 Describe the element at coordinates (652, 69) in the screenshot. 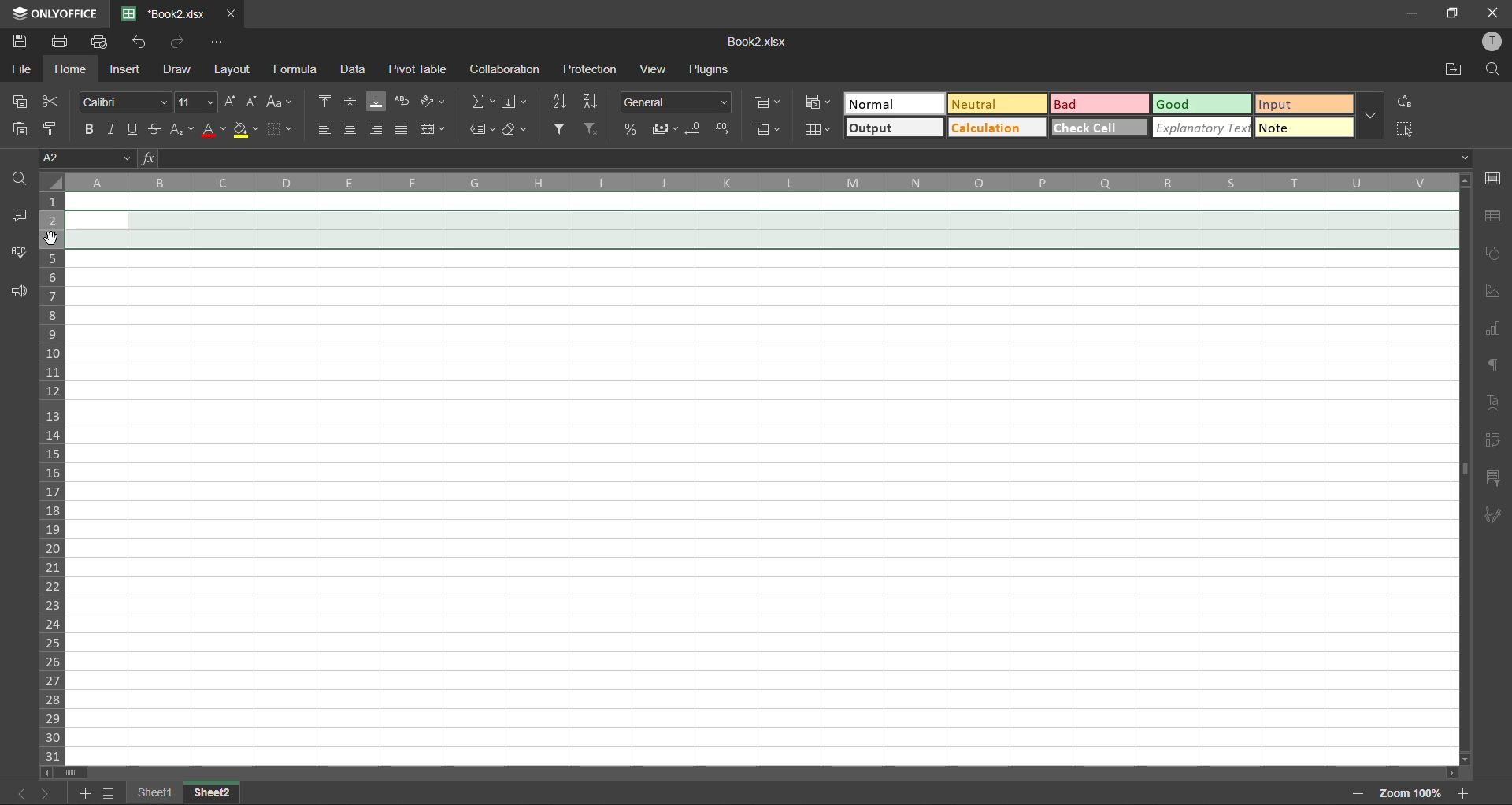

I see `view` at that location.